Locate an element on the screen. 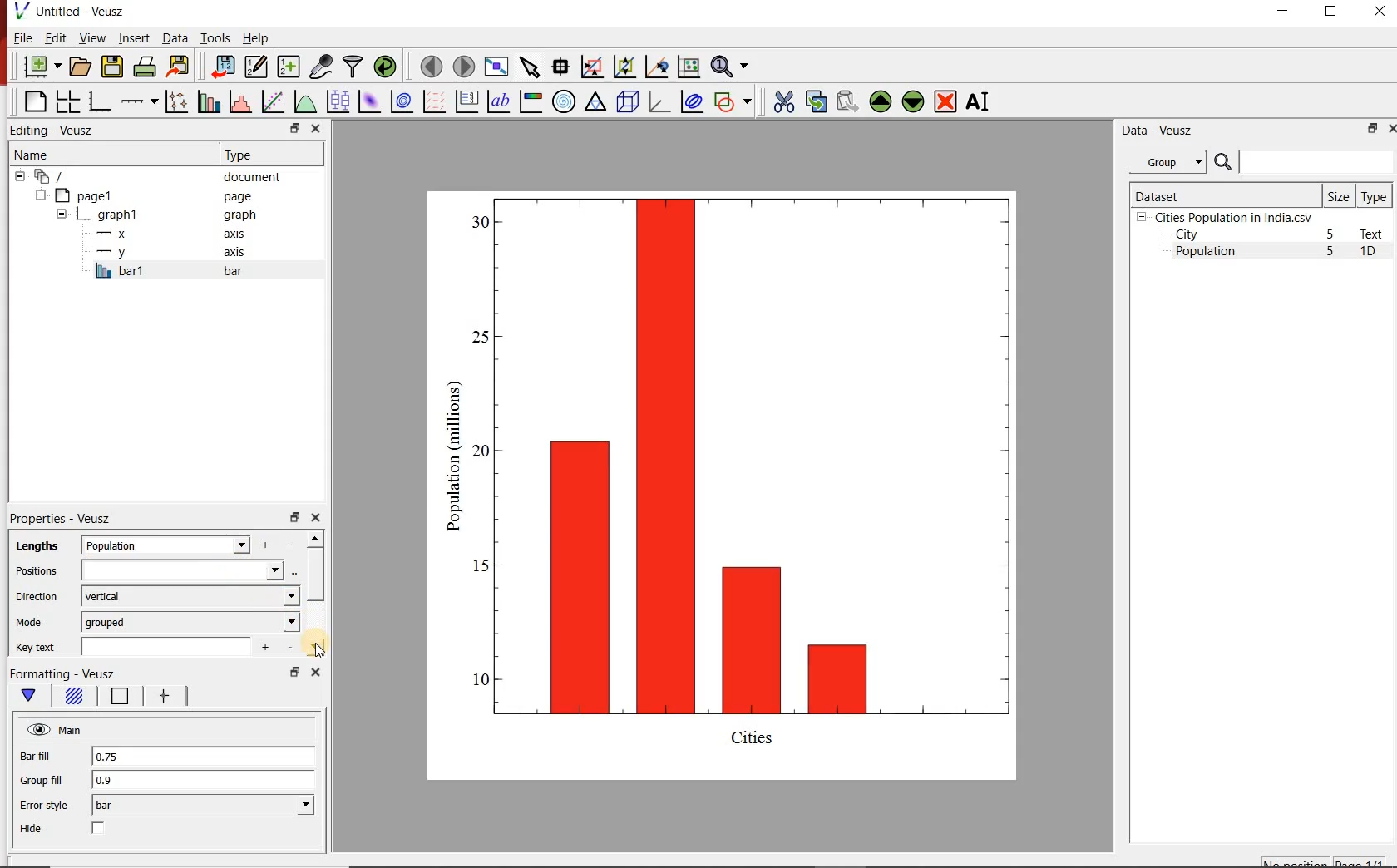  Type is located at coordinates (269, 155).